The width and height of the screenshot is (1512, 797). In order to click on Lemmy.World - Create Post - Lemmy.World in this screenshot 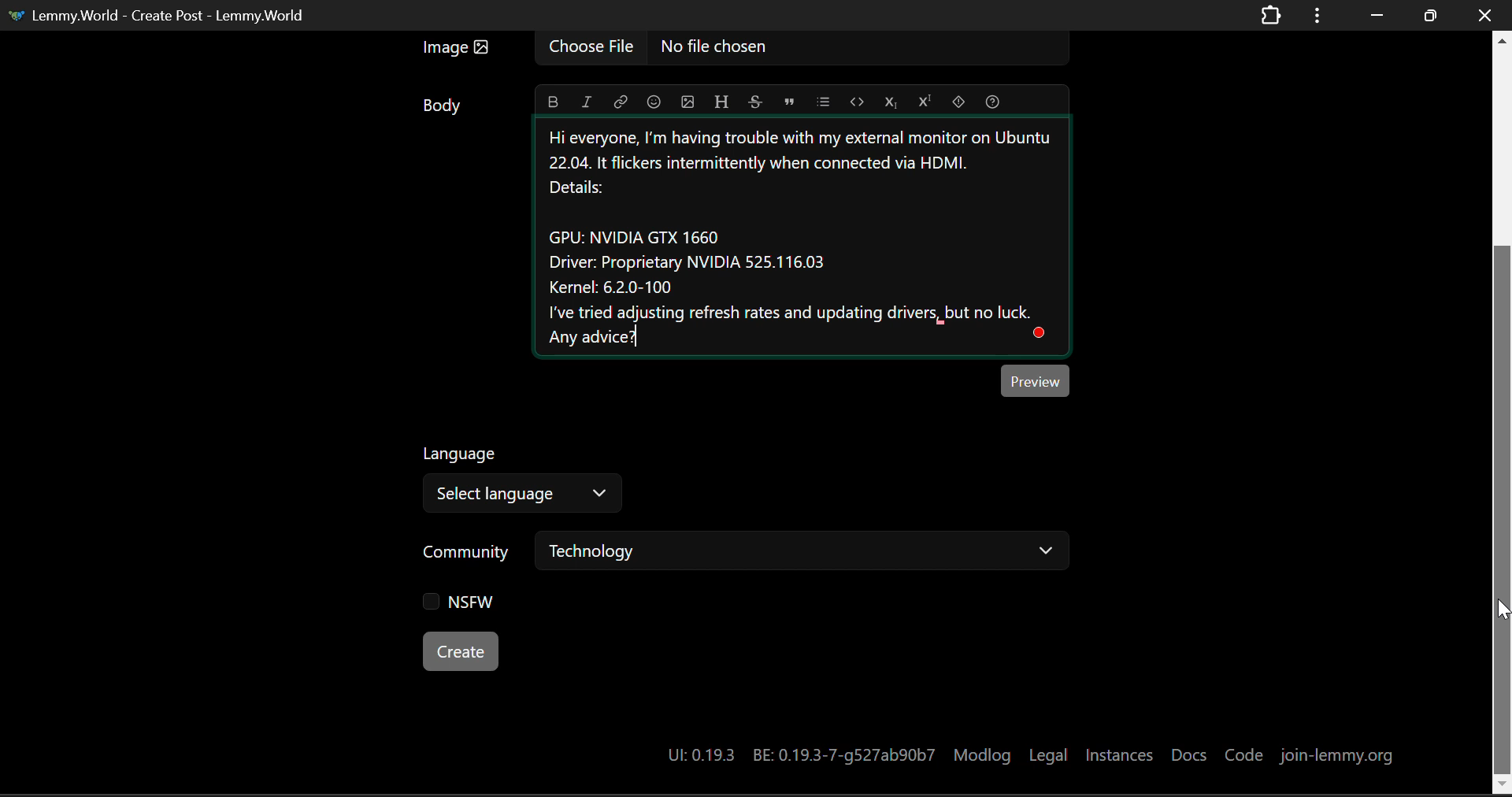, I will do `click(160, 17)`.